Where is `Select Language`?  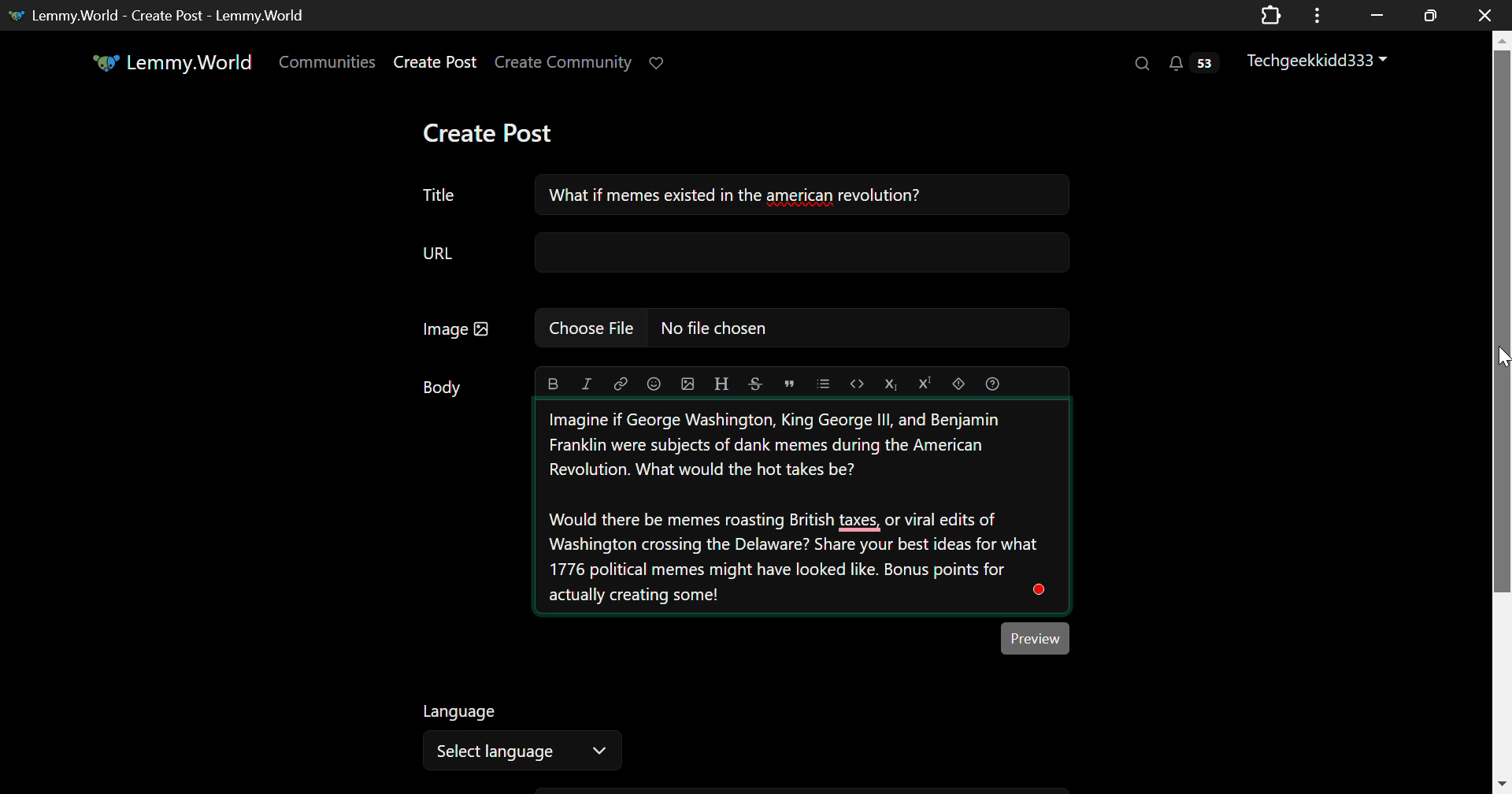
Select Language is located at coordinates (519, 736).